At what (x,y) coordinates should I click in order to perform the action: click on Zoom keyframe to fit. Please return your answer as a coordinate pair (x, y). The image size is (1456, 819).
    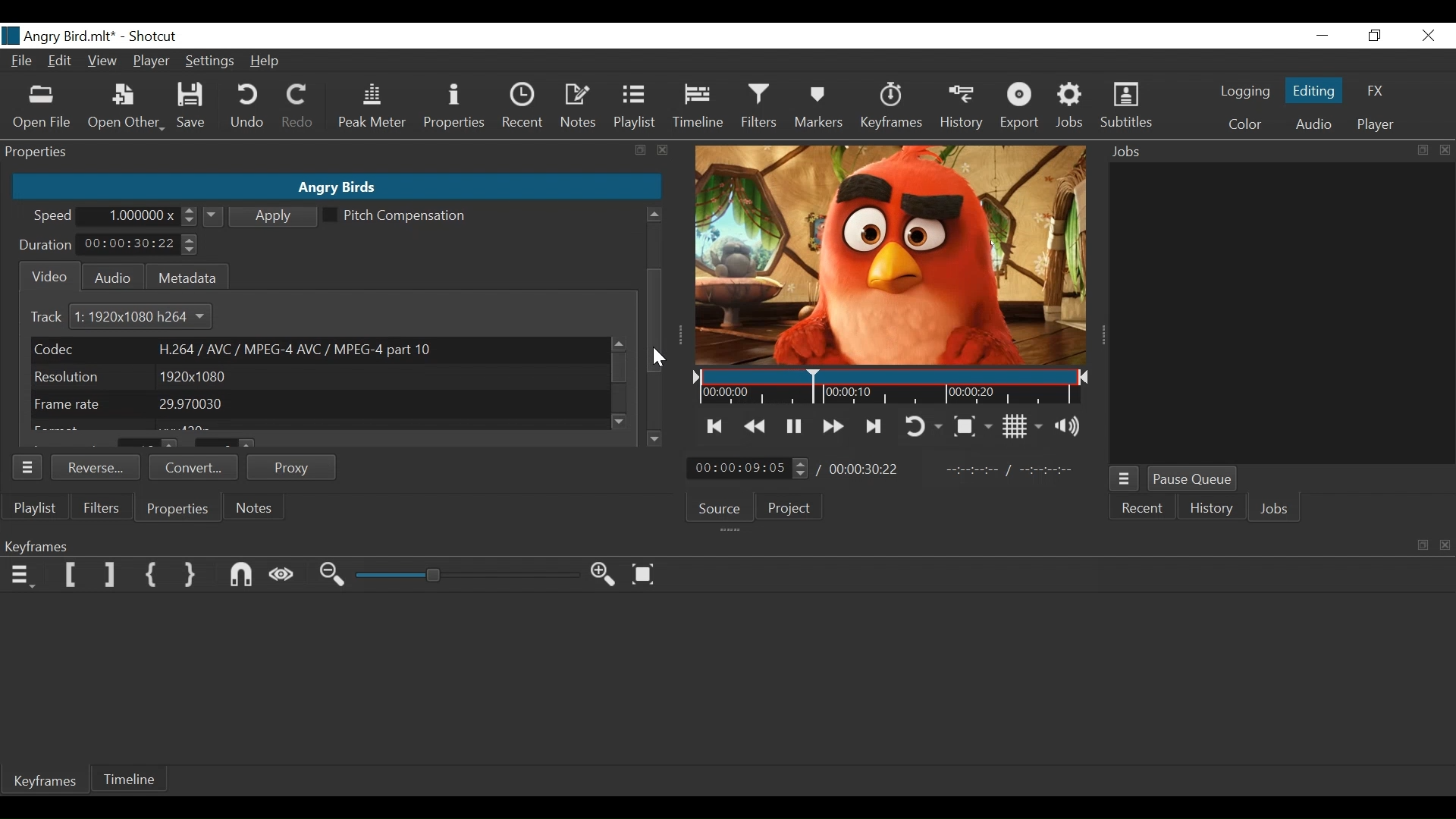
    Looking at the image, I should click on (645, 574).